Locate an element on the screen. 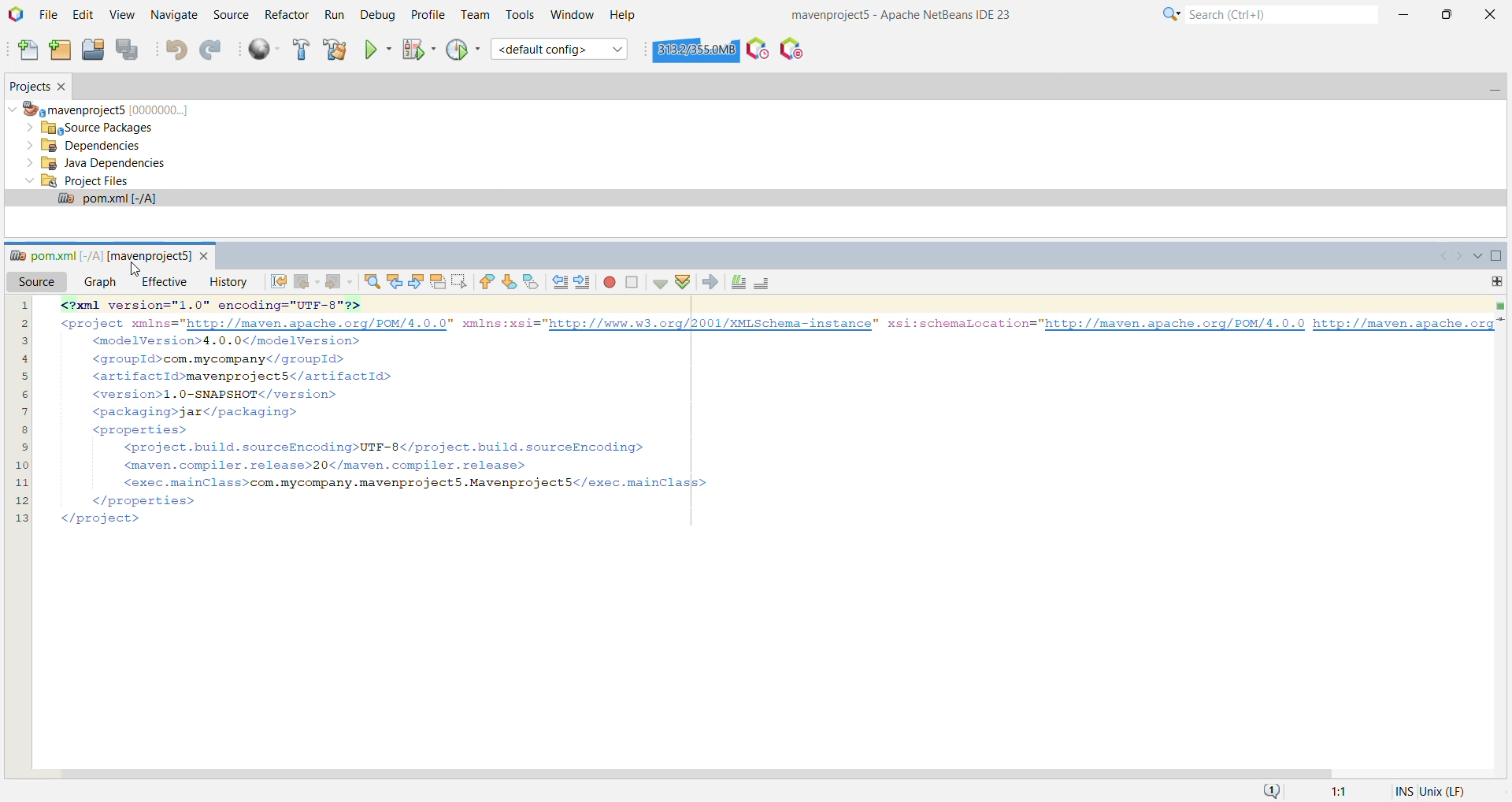 This screenshot has width=1512, height=802. Check File is located at coordinates (659, 283).